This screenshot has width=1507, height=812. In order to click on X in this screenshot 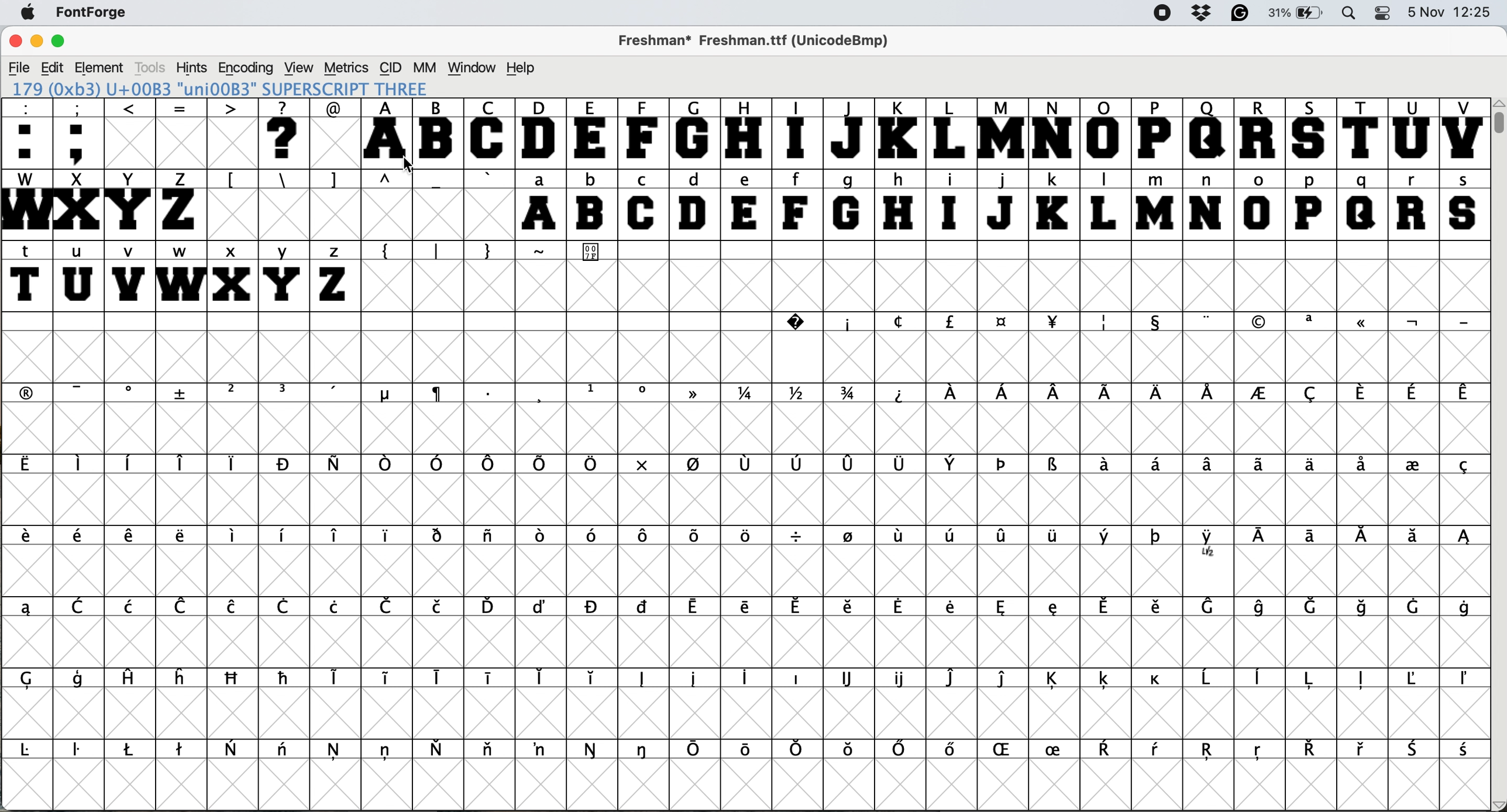, I will do `click(78, 205)`.